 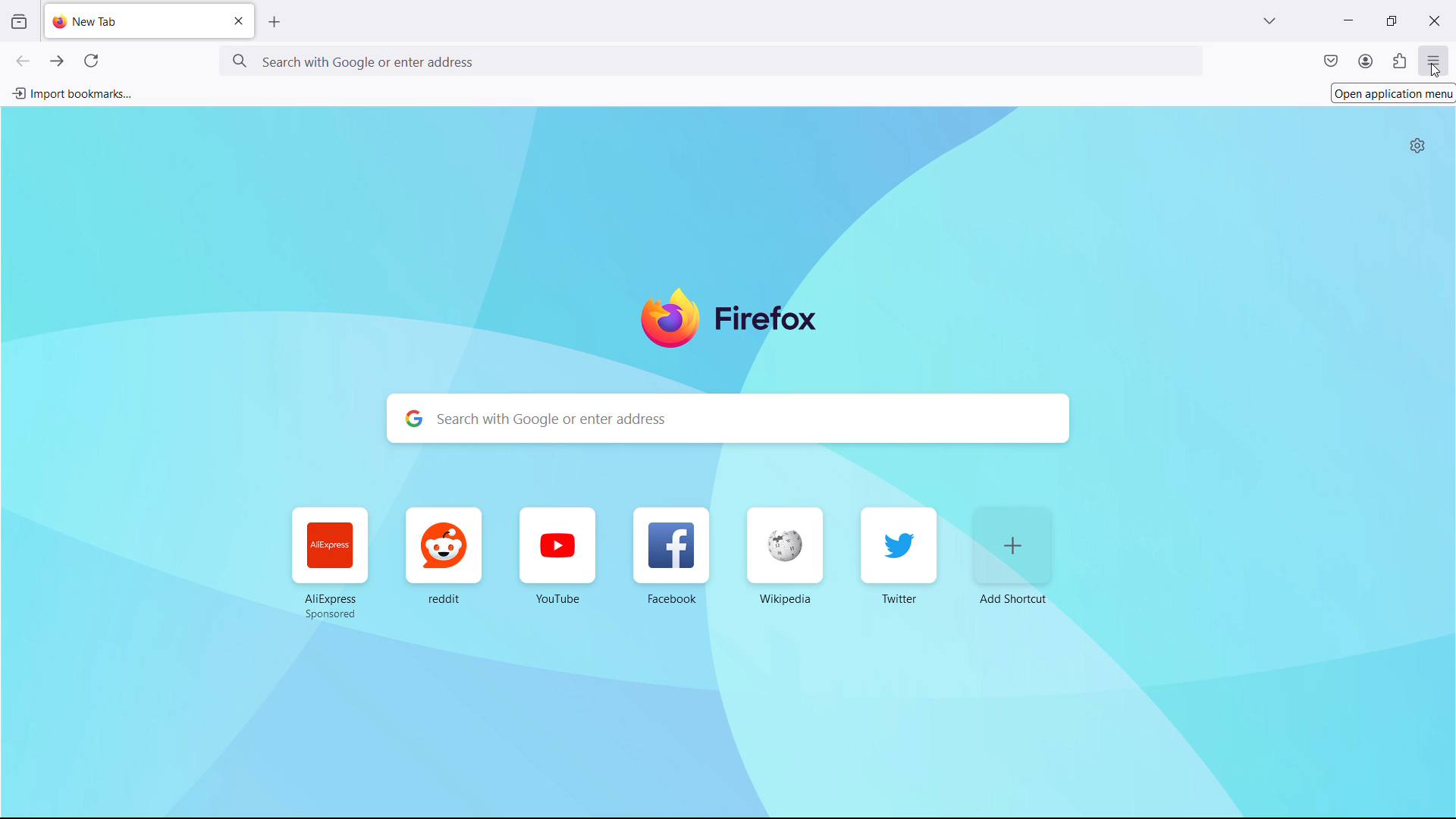 I want to click on reload current page, so click(x=91, y=64).